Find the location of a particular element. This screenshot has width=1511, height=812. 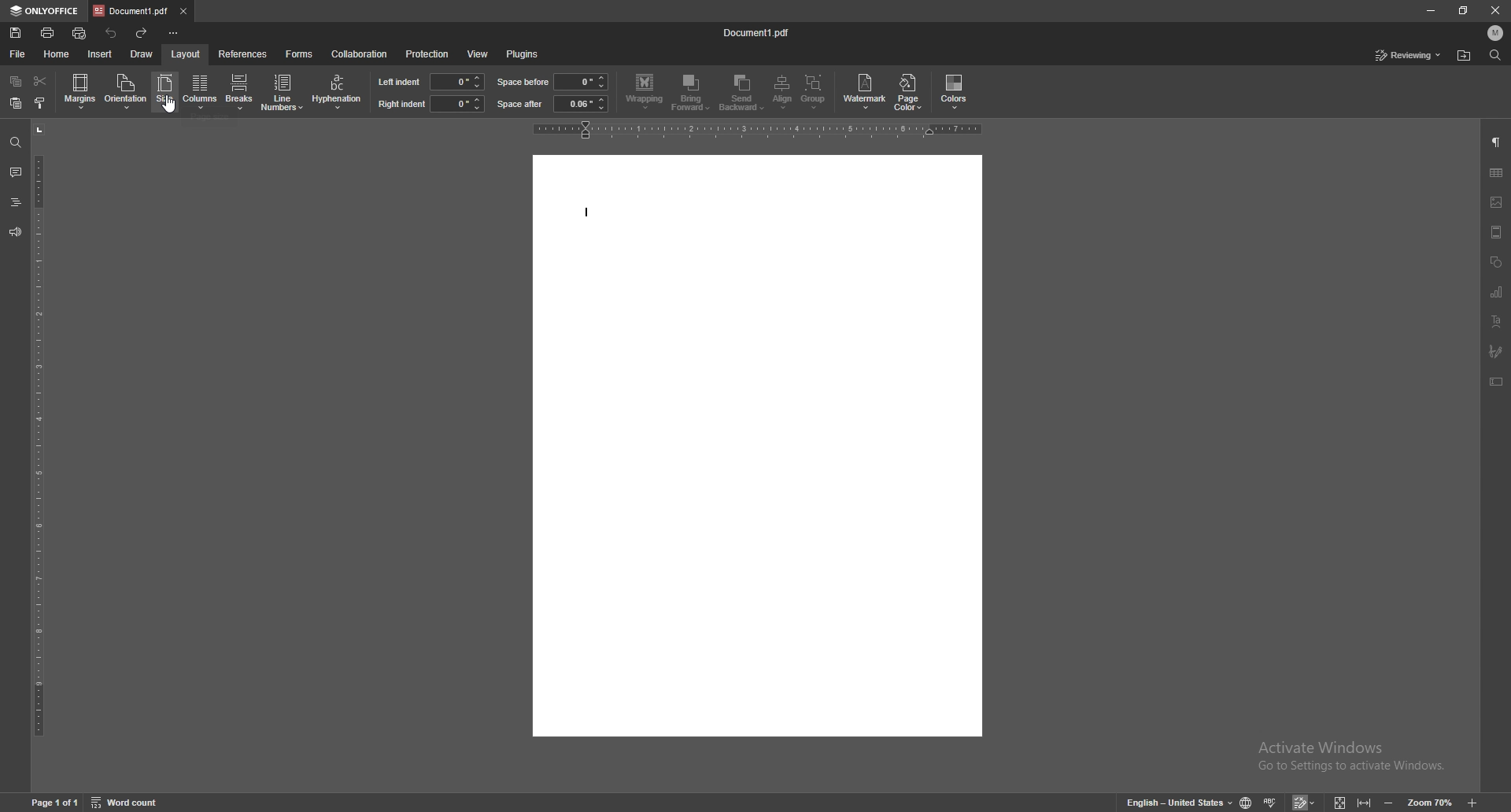

Word count is located at coordinates (135, 802).